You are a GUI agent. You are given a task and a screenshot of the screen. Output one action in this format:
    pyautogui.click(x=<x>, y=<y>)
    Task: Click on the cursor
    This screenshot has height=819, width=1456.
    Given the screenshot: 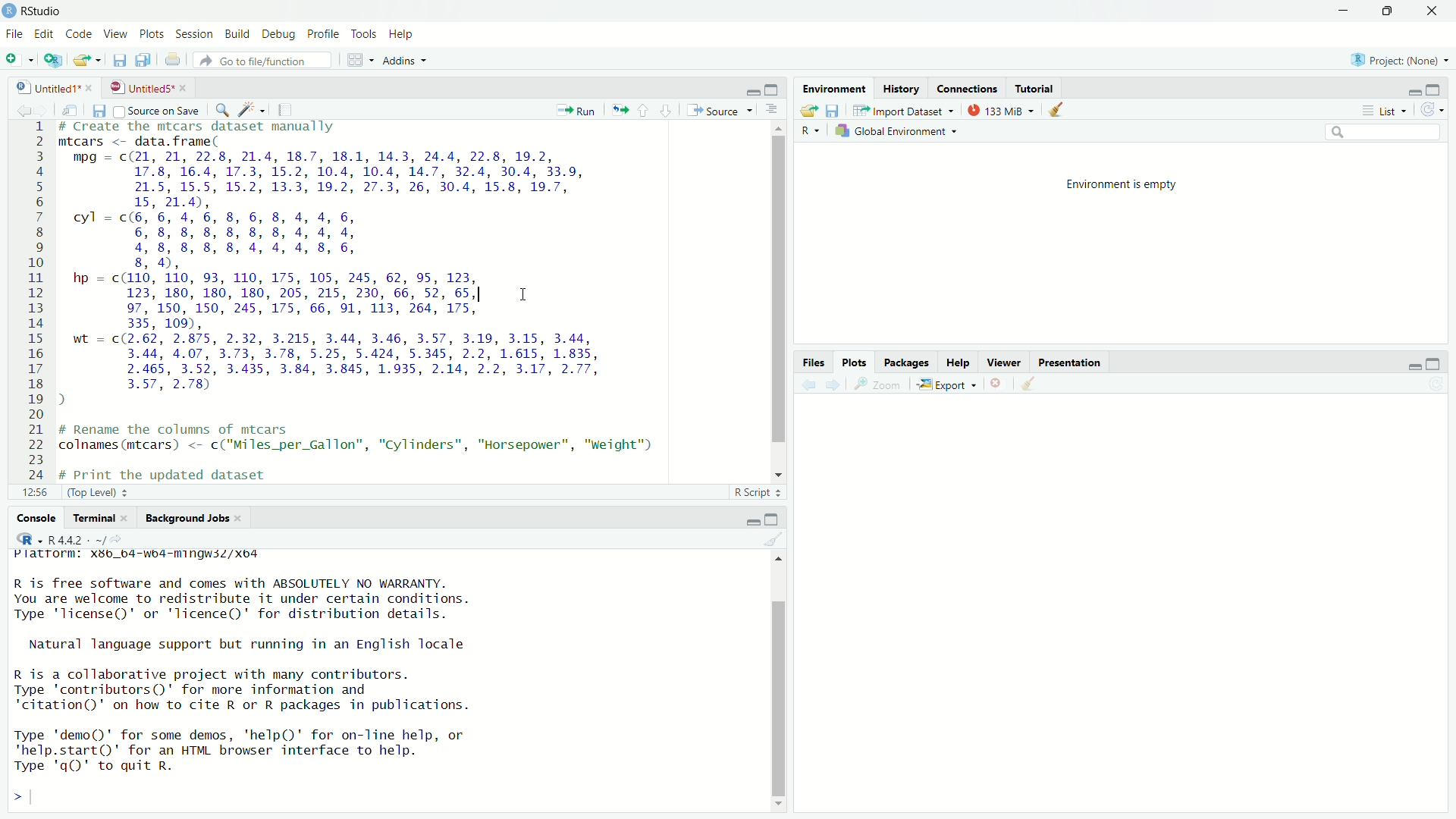 What is the action you would take?
    pyautogui.click(x=522, y=293)
    